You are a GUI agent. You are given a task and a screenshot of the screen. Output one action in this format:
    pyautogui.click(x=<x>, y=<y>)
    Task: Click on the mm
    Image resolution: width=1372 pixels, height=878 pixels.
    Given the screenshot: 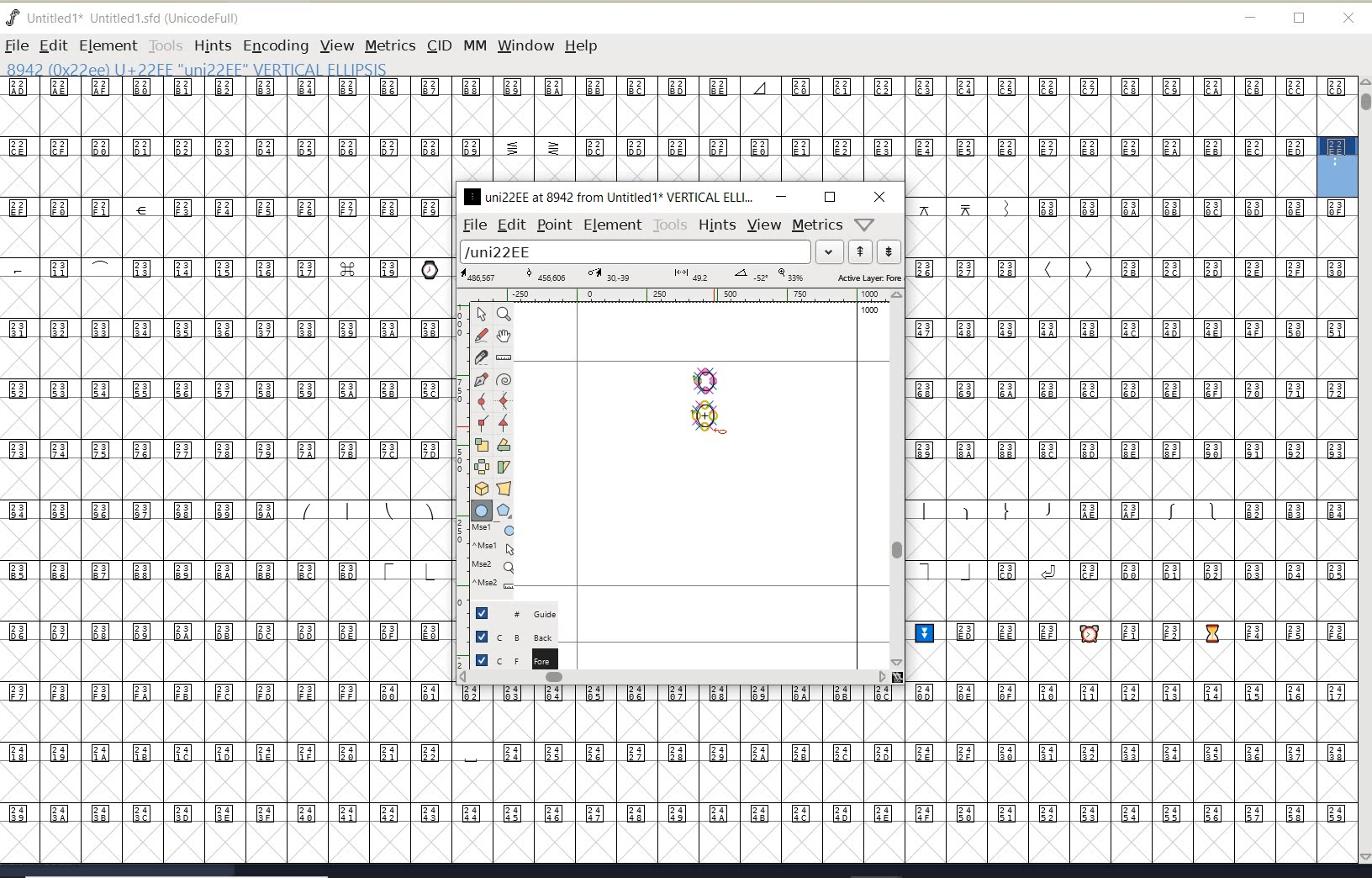 What is the action you would take?
    pyautogui.click(x=473, y=43)
    